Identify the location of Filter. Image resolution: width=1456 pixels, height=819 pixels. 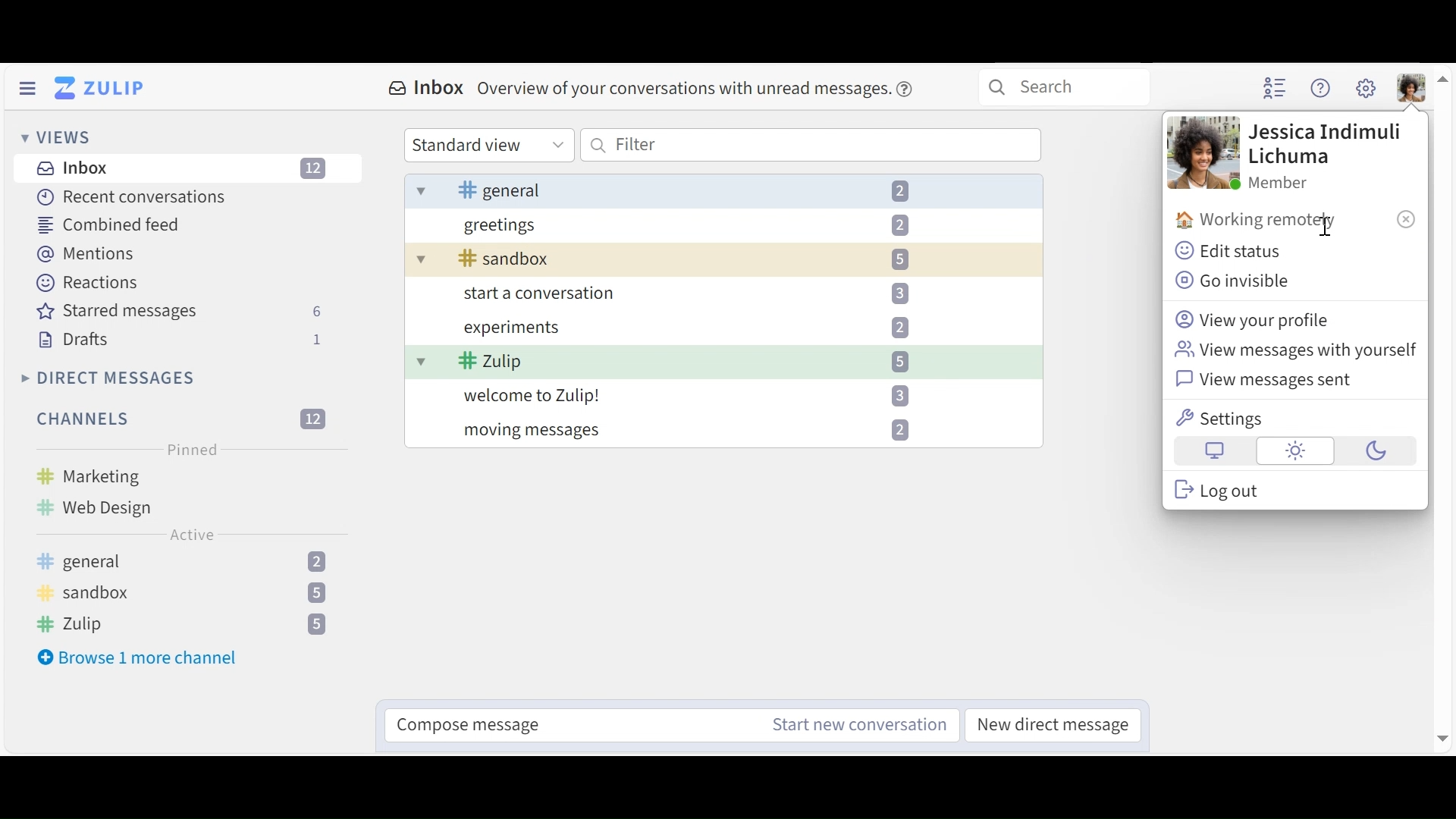
(811, 146).